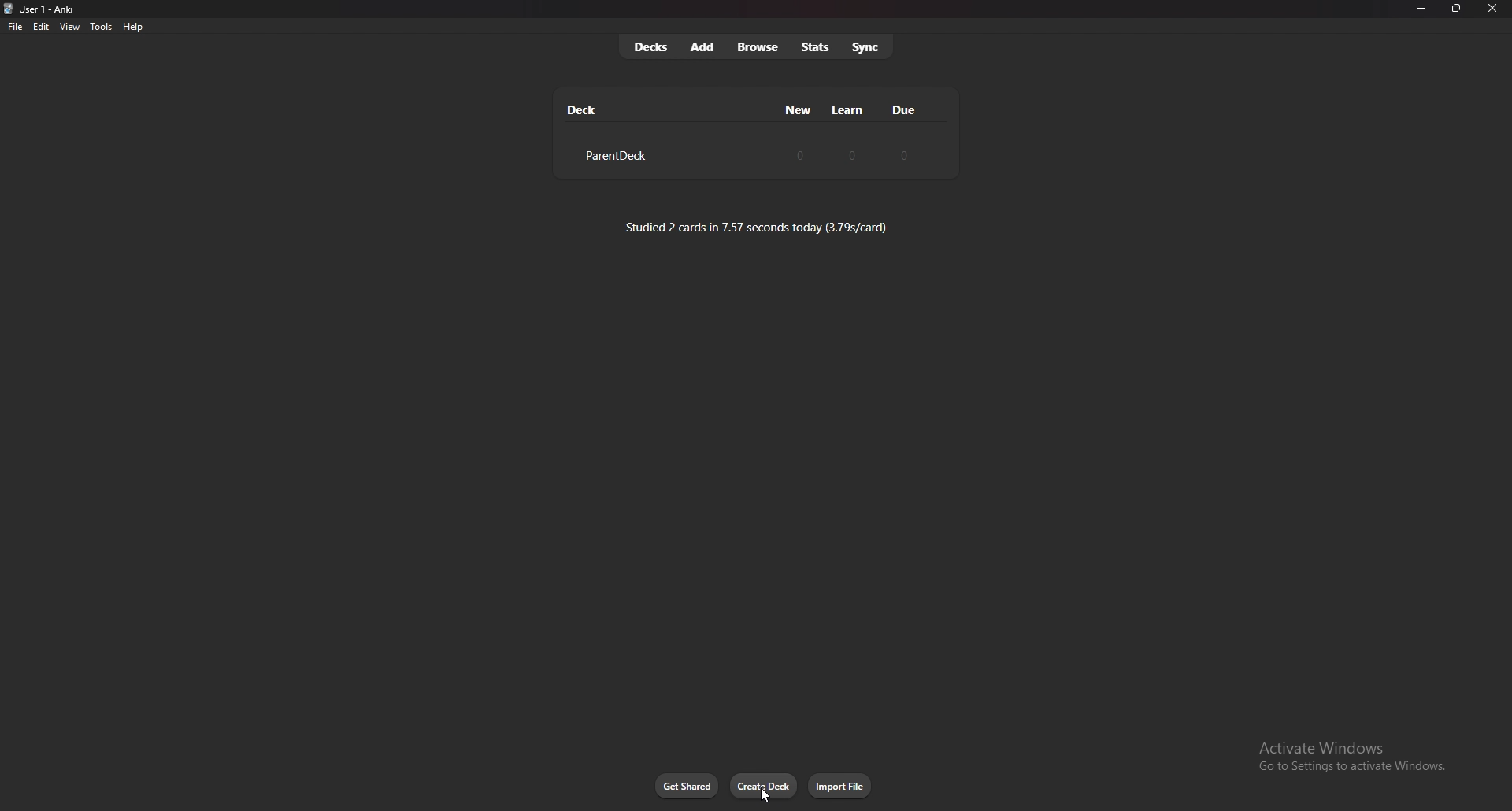  What do you see at coordinates (583, 109) in the screenshot?
I see `deck` at bounding box center [583, 109].